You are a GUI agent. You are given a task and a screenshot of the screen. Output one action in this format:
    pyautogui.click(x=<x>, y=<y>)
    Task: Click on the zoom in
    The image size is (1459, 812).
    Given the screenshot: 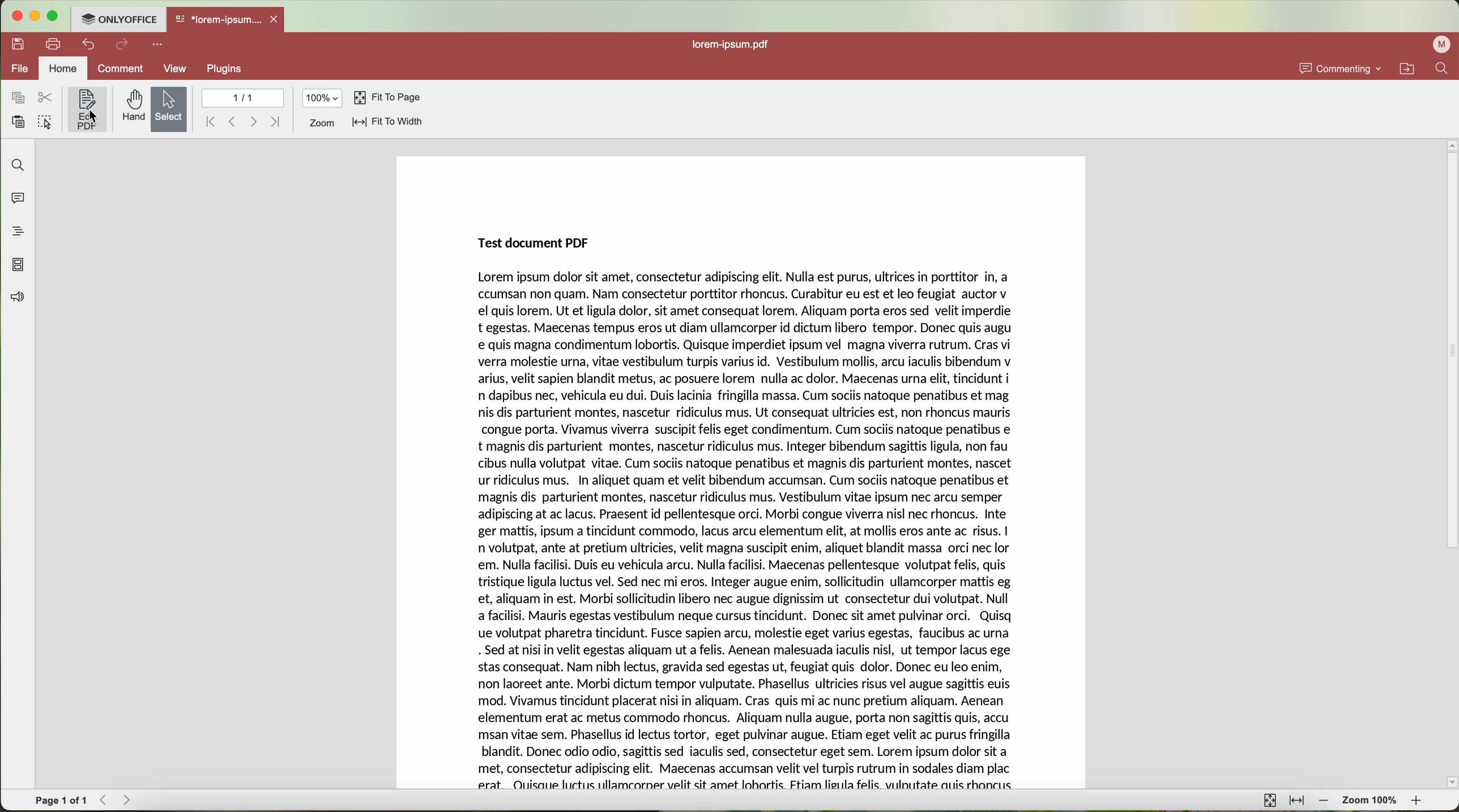 What is the action you would take?
    pyautogui.click(x=1418, y=803)
    